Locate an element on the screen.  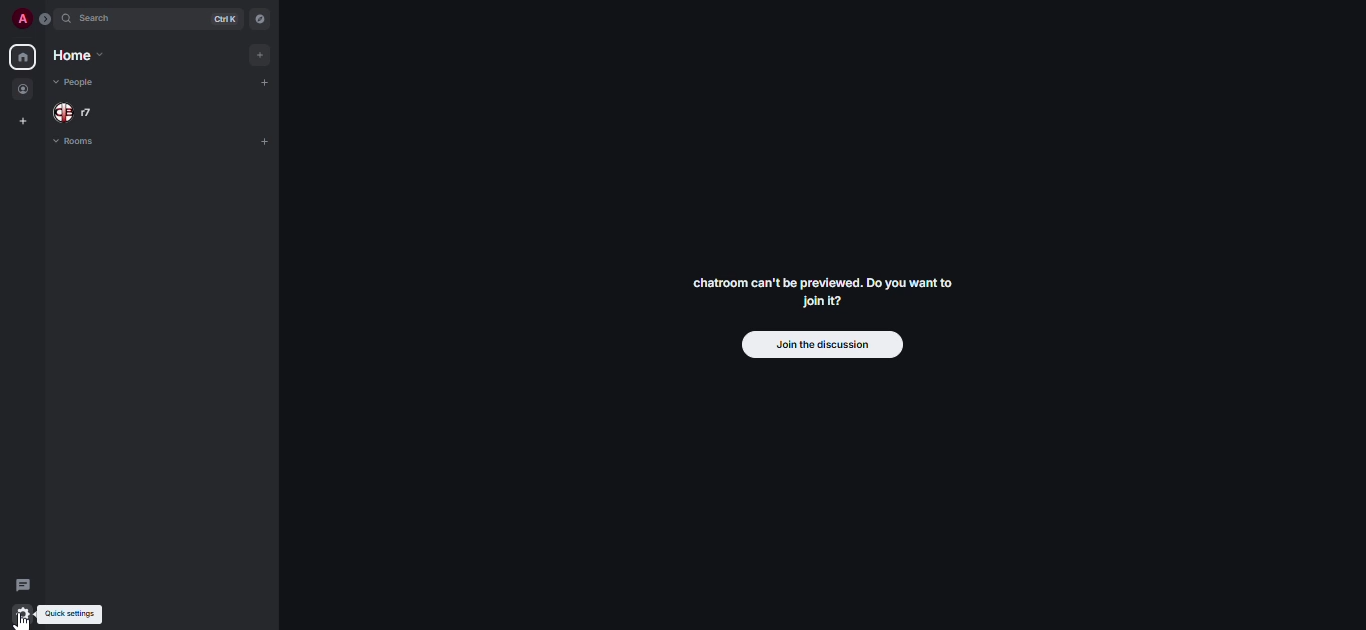
quick settings is located at coordinates (72, 614).